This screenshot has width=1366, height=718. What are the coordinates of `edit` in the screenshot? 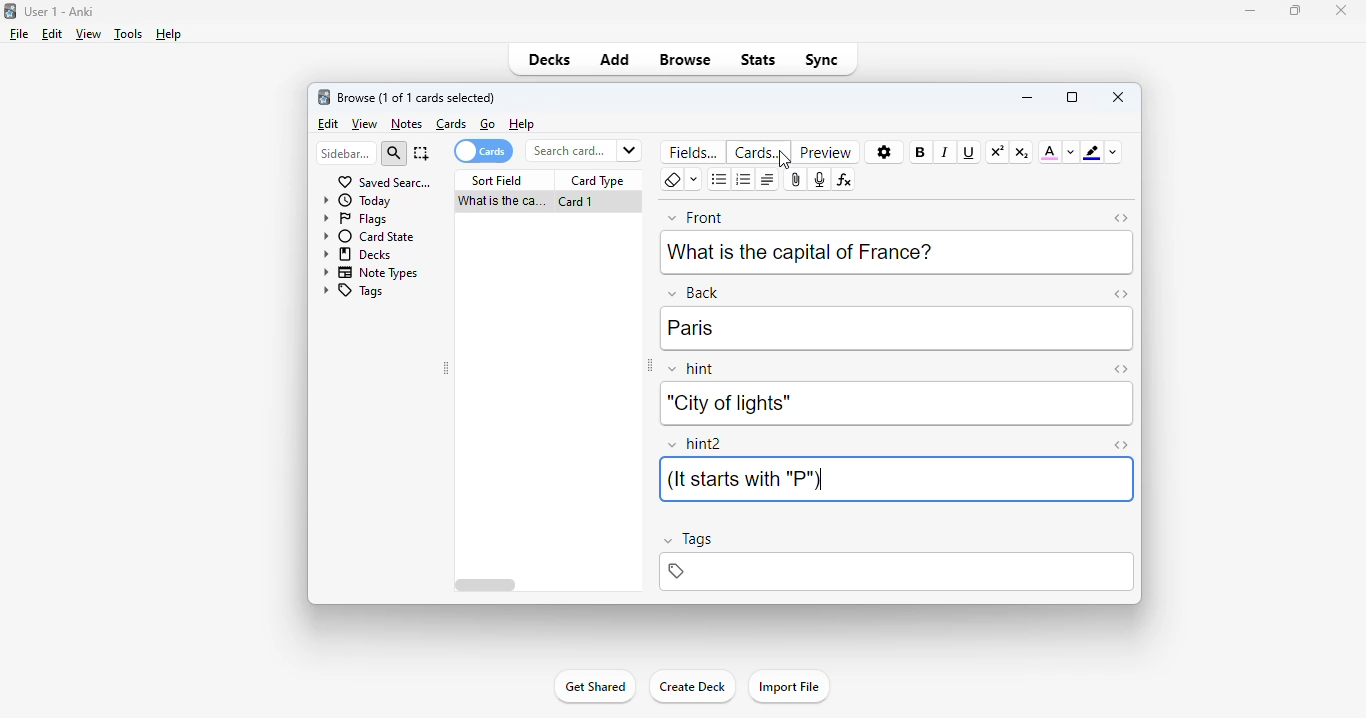 It's located at (329, 124).